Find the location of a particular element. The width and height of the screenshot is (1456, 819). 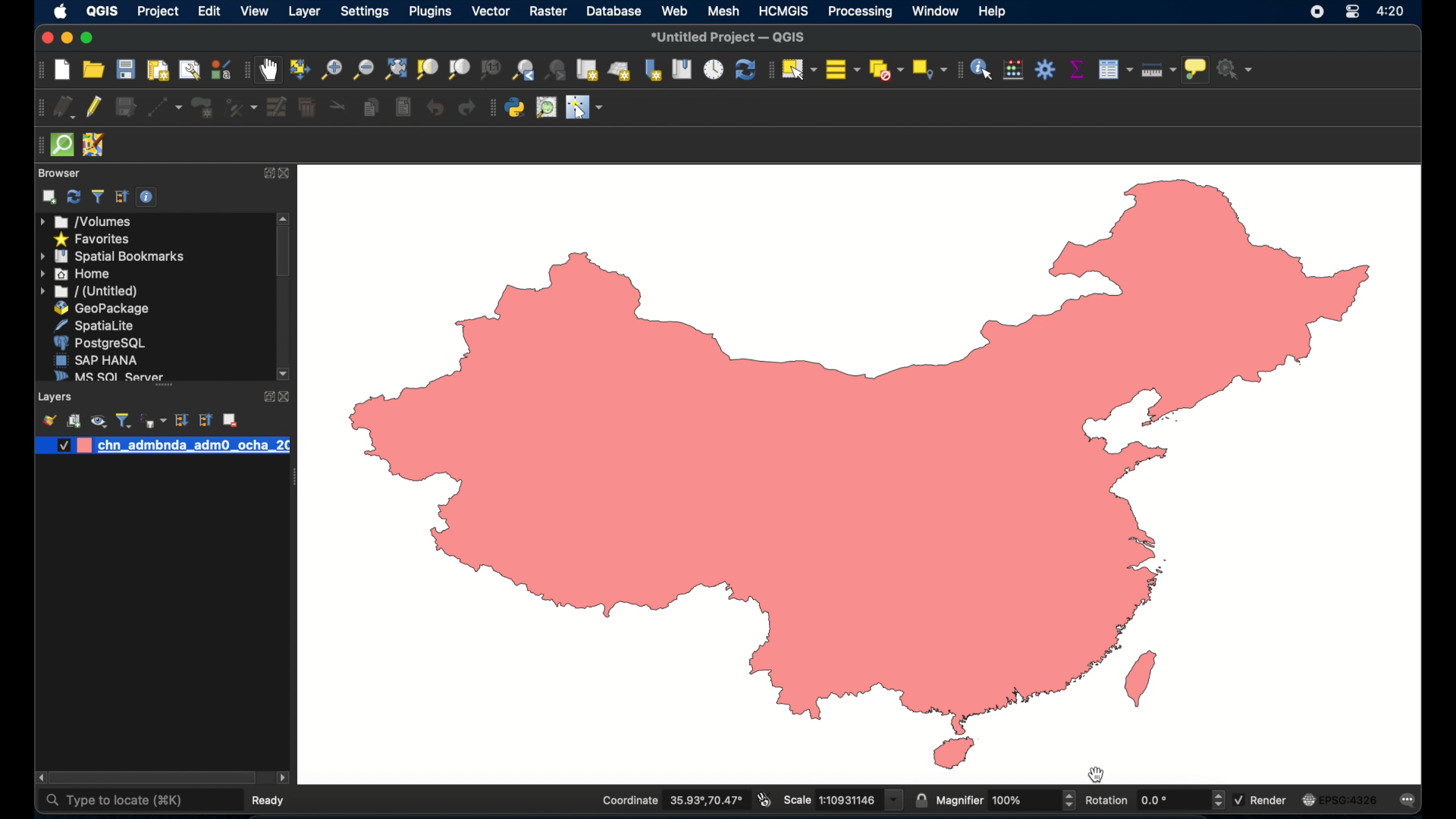

new map view is located at coordinates (588, 71).